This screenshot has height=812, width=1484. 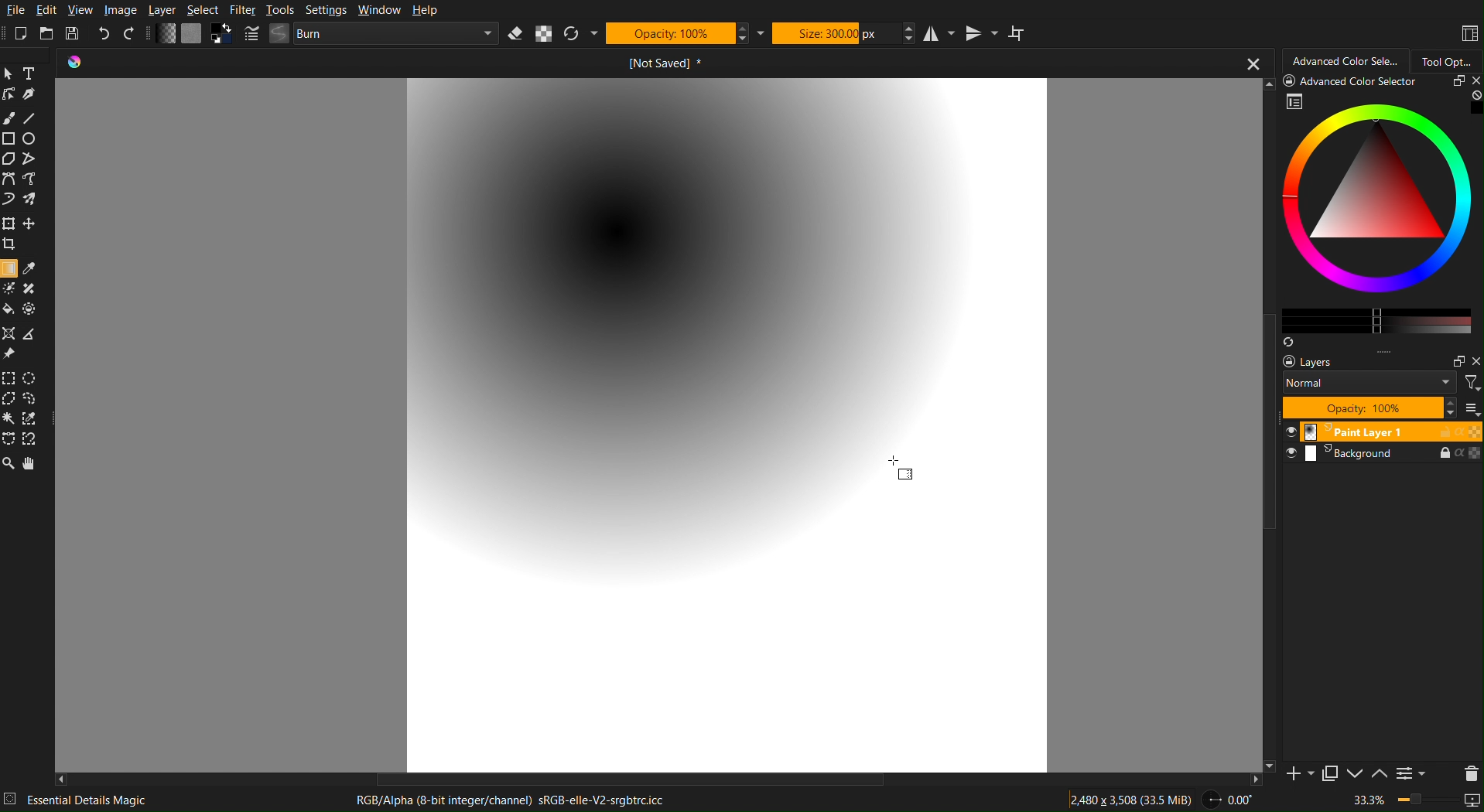 I want to click on Edit, so click(x=48, y=11).